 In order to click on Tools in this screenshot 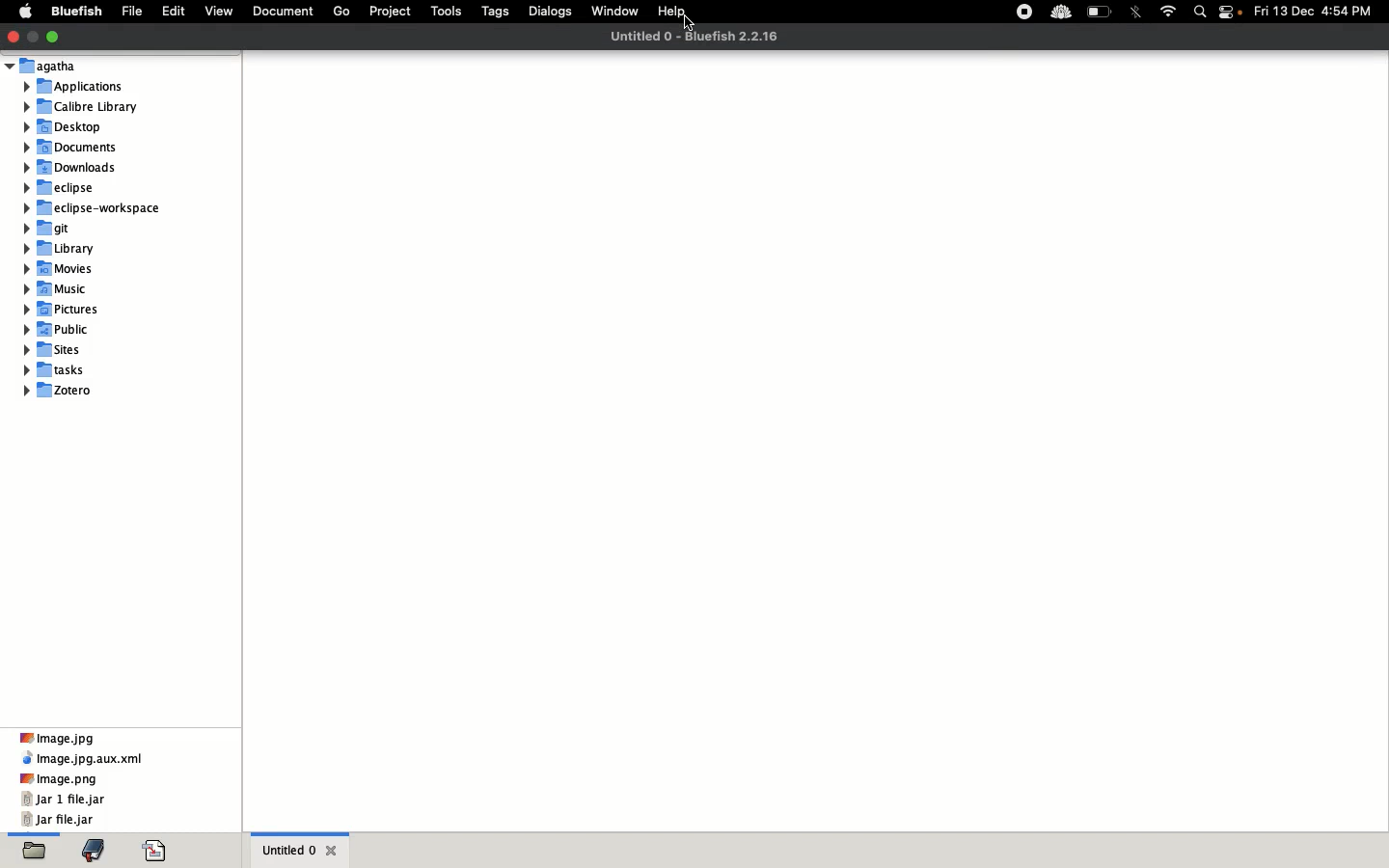, I will do `click(446, 12)`.